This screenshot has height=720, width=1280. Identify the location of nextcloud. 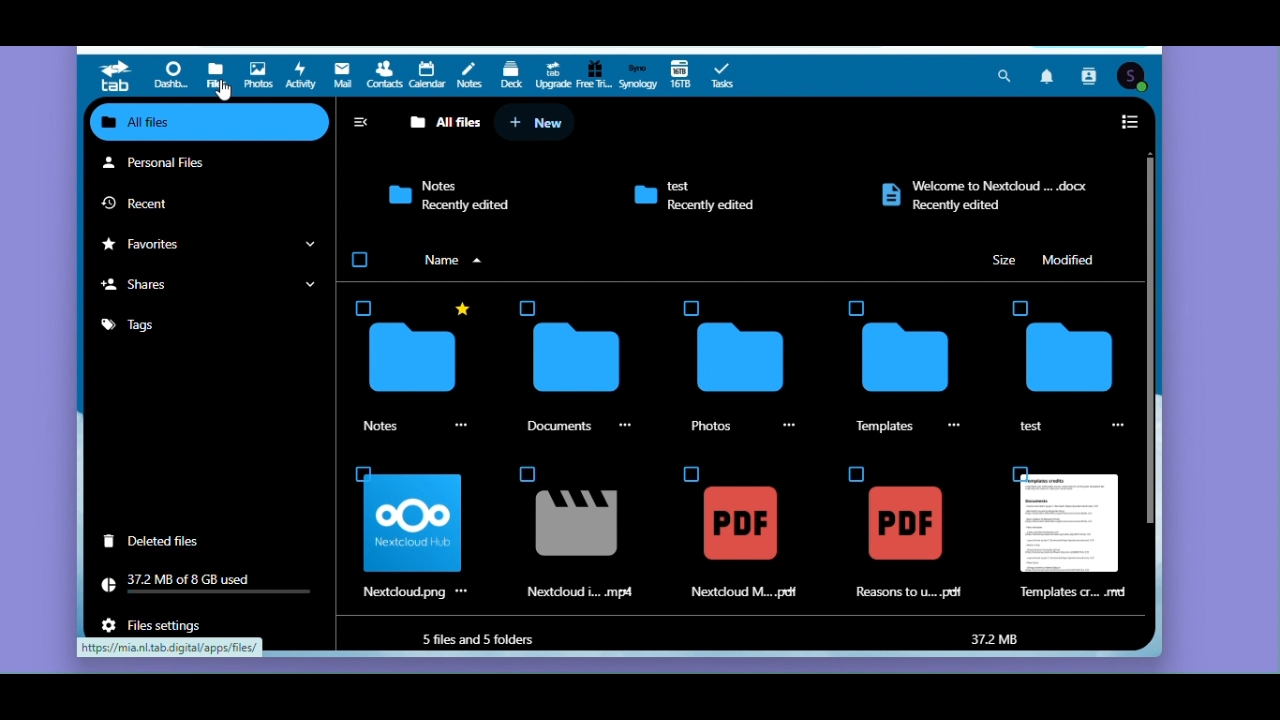
(571, 534).